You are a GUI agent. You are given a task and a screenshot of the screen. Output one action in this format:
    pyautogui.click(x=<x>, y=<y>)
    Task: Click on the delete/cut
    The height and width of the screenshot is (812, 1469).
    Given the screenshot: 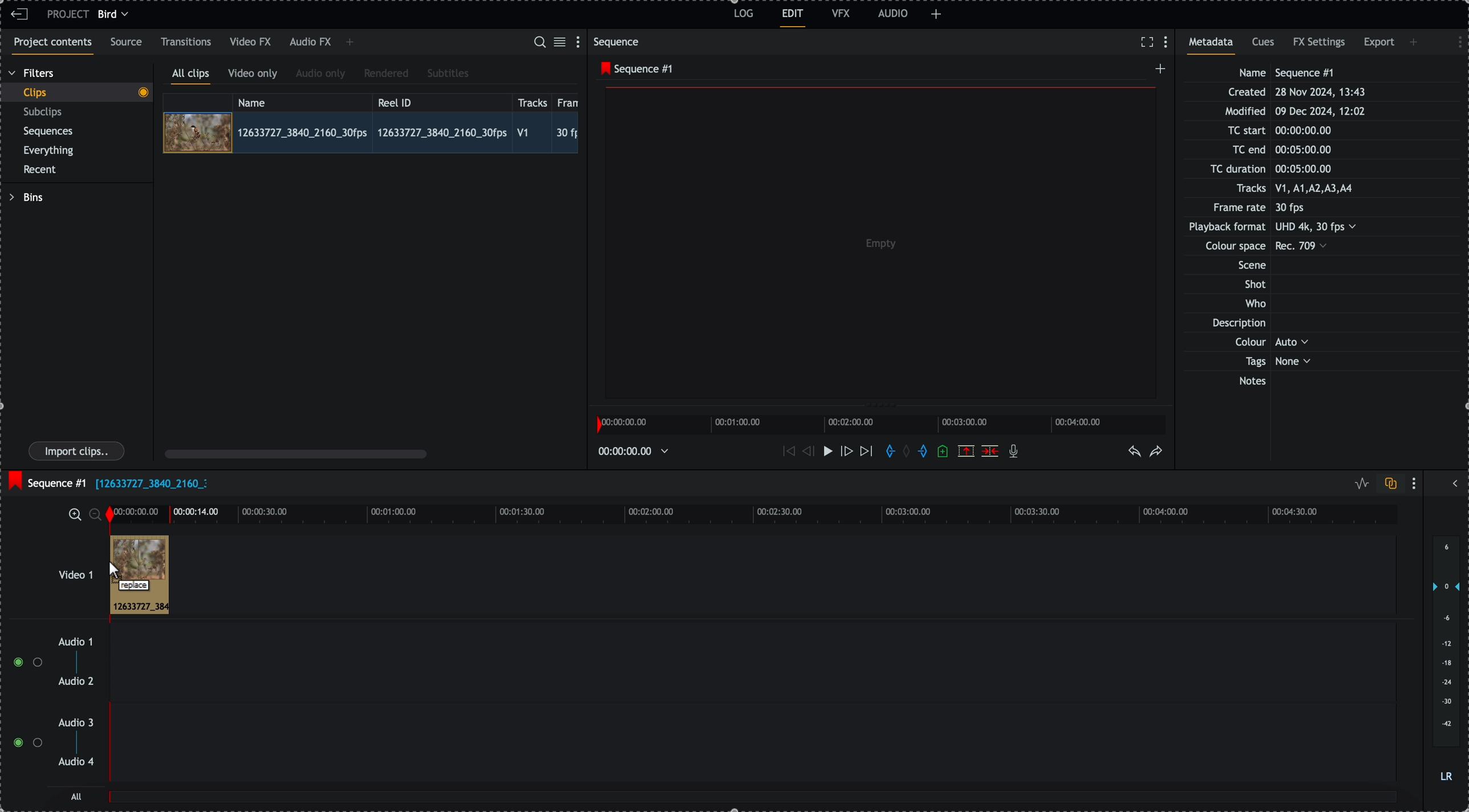 What is the action you would take?
    pyautogui.click(x=990, y=451)
    